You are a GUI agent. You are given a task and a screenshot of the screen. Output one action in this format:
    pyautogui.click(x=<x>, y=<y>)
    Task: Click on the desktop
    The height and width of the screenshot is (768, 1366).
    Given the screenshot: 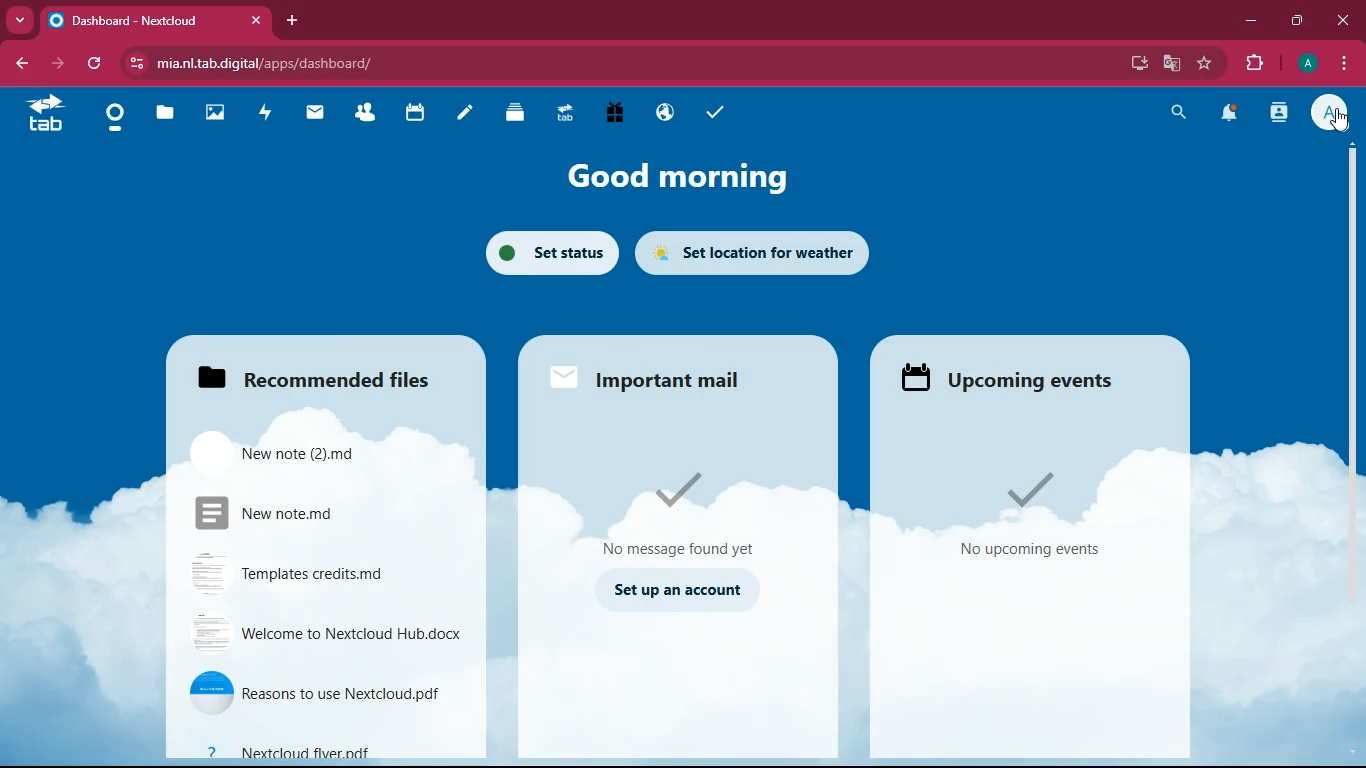 What is the action you would take?
    pyautogui.click(x=1137, y=65)
    